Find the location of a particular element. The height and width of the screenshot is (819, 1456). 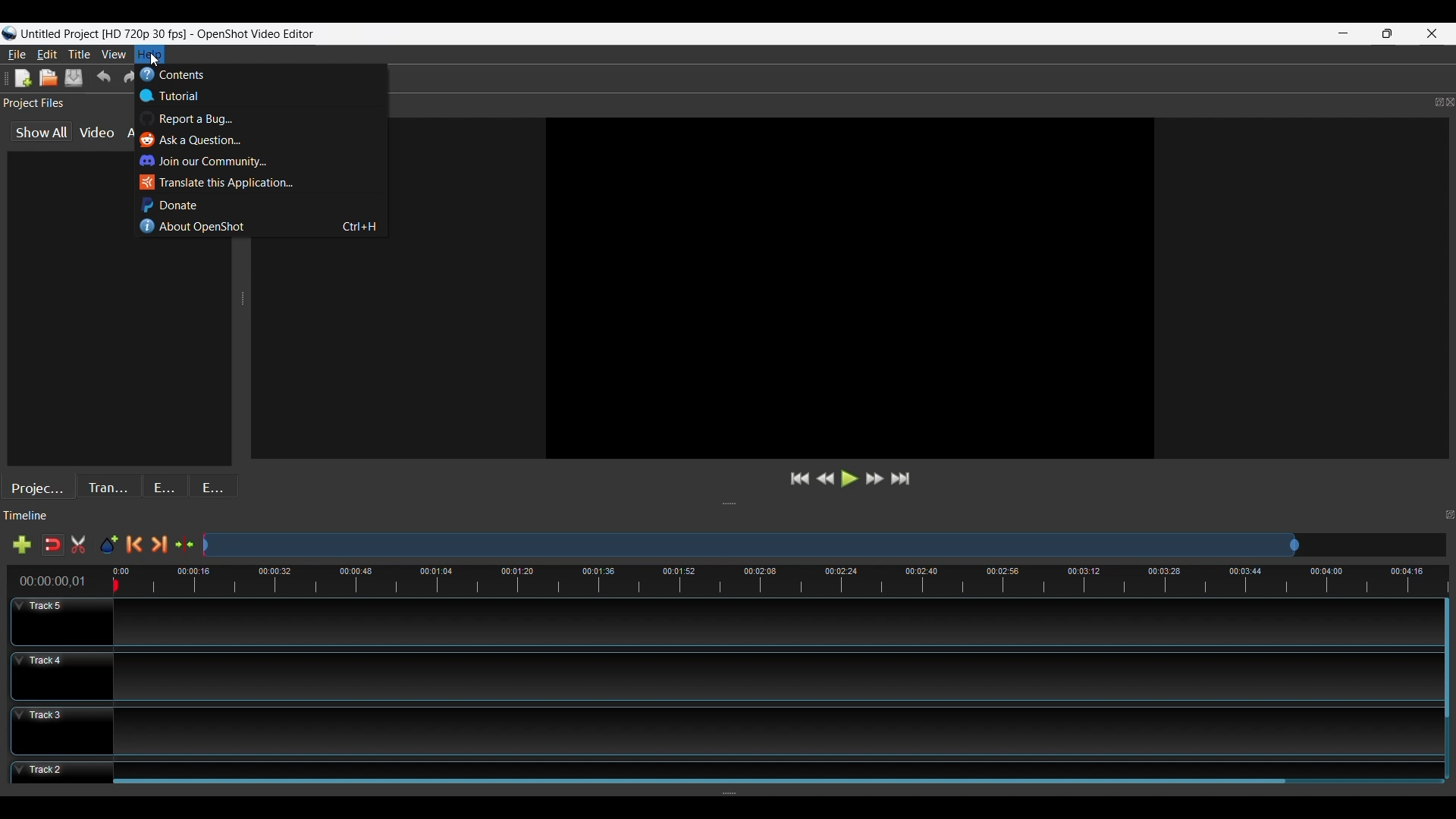

Report a bug is located at coordinates (190, 119).